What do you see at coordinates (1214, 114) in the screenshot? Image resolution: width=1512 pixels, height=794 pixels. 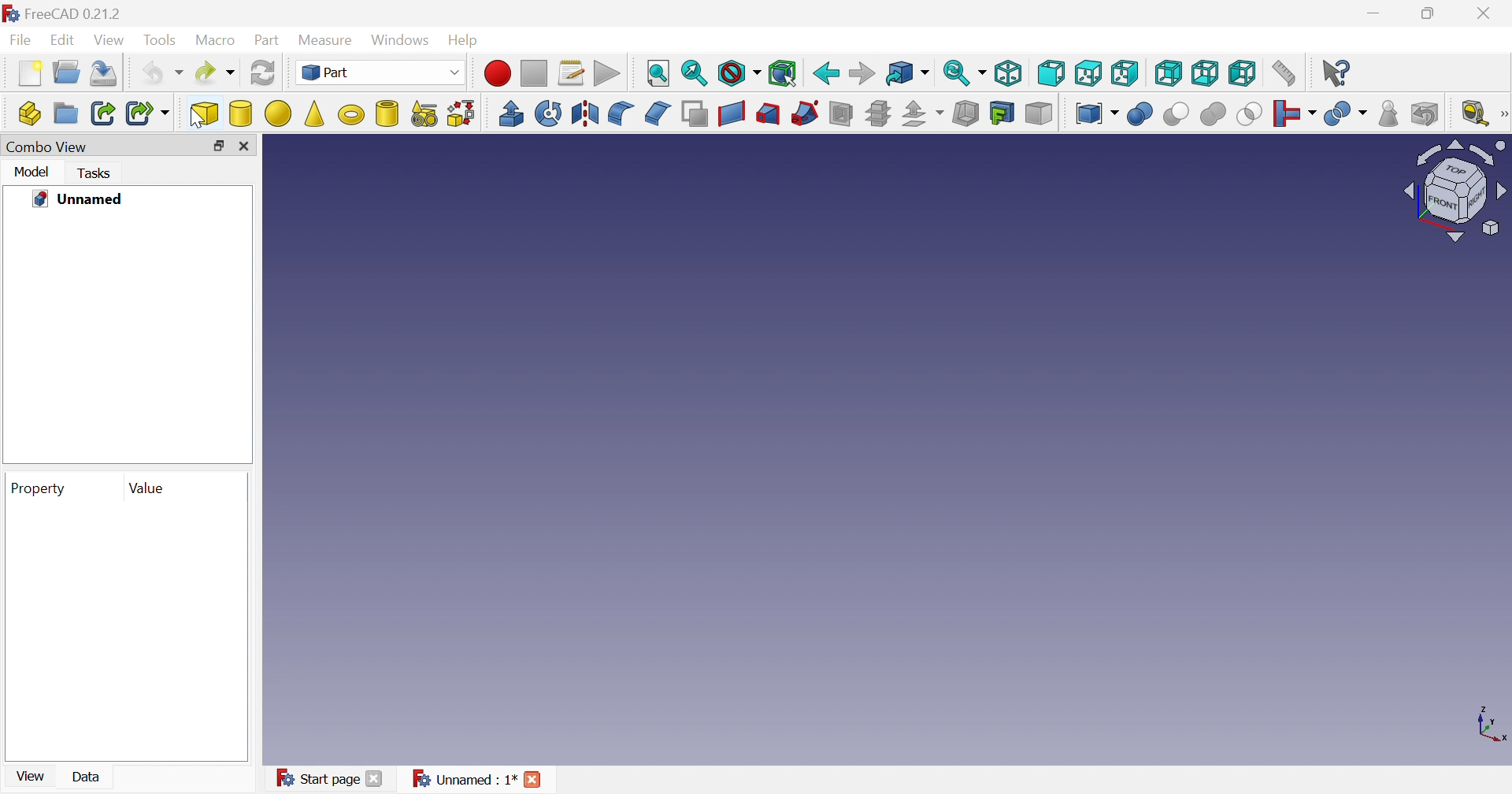 I see `Union` at bounding box center [1214, 114].